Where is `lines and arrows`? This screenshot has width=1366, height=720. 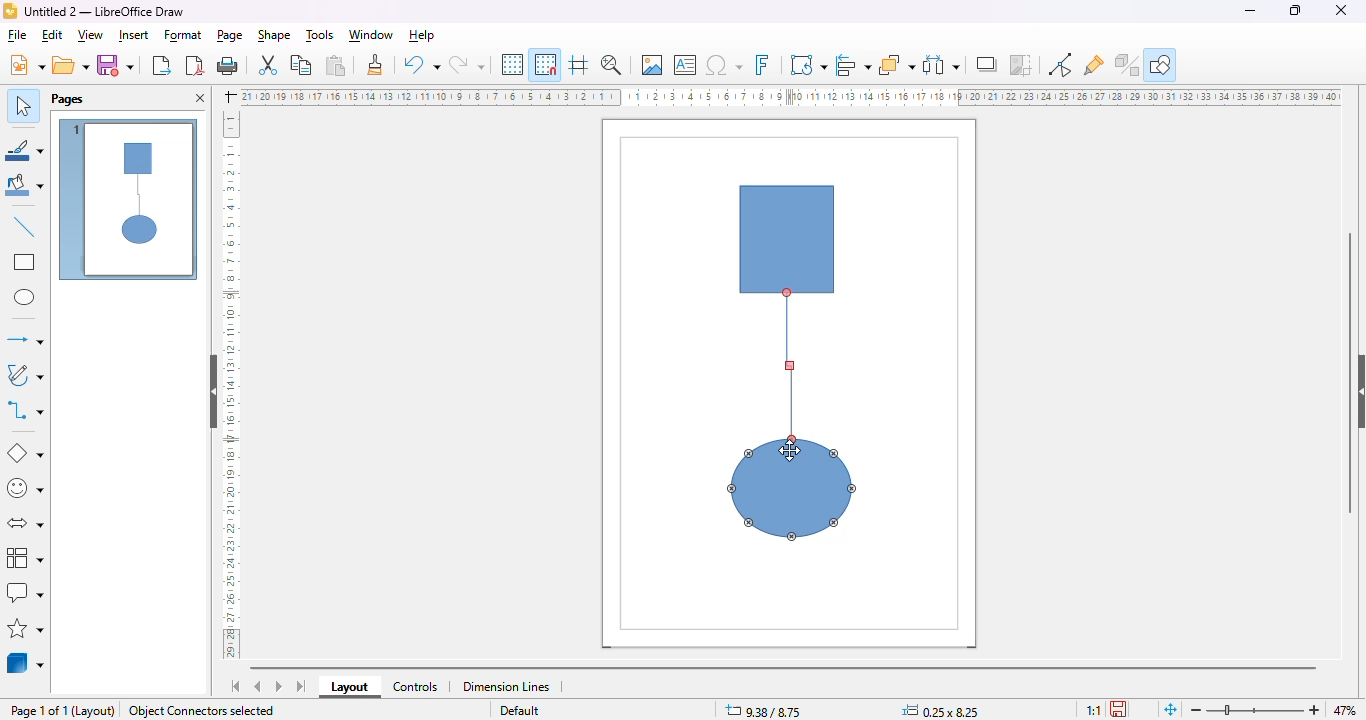
lines and arrows is located at coordinates (24, 339).